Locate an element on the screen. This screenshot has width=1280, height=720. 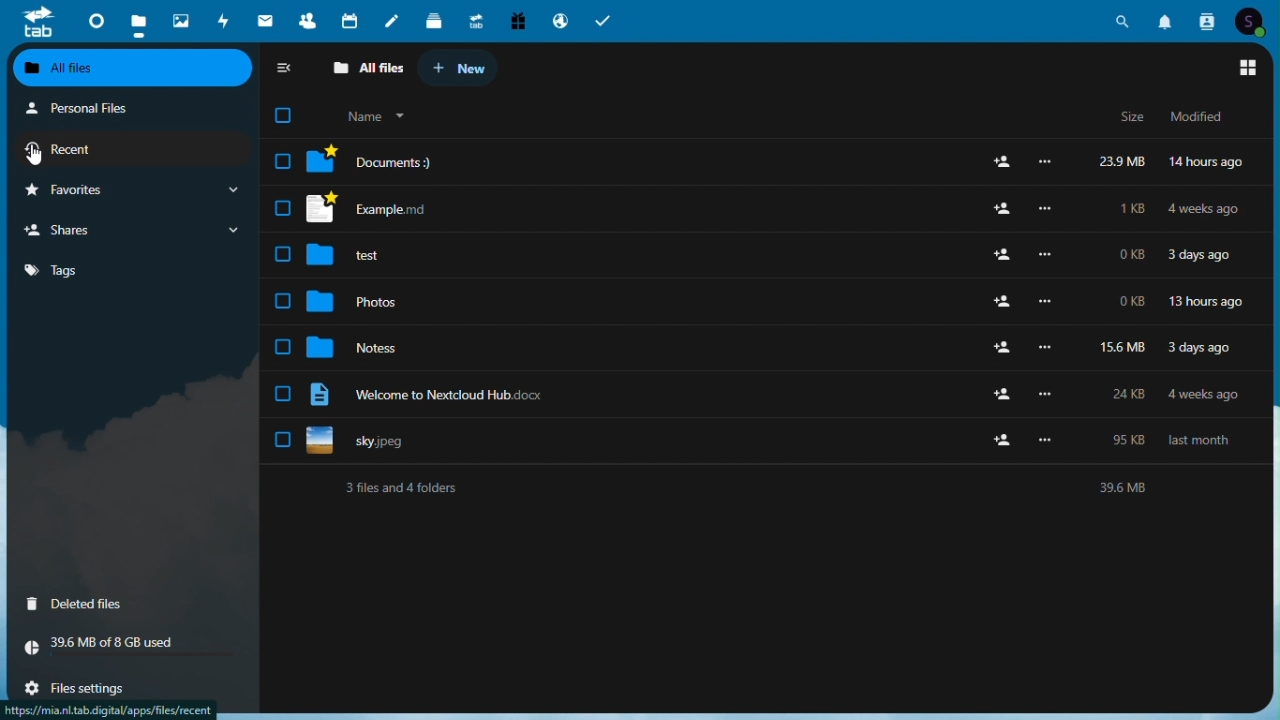
example.md is located at coordinates (373, 209).